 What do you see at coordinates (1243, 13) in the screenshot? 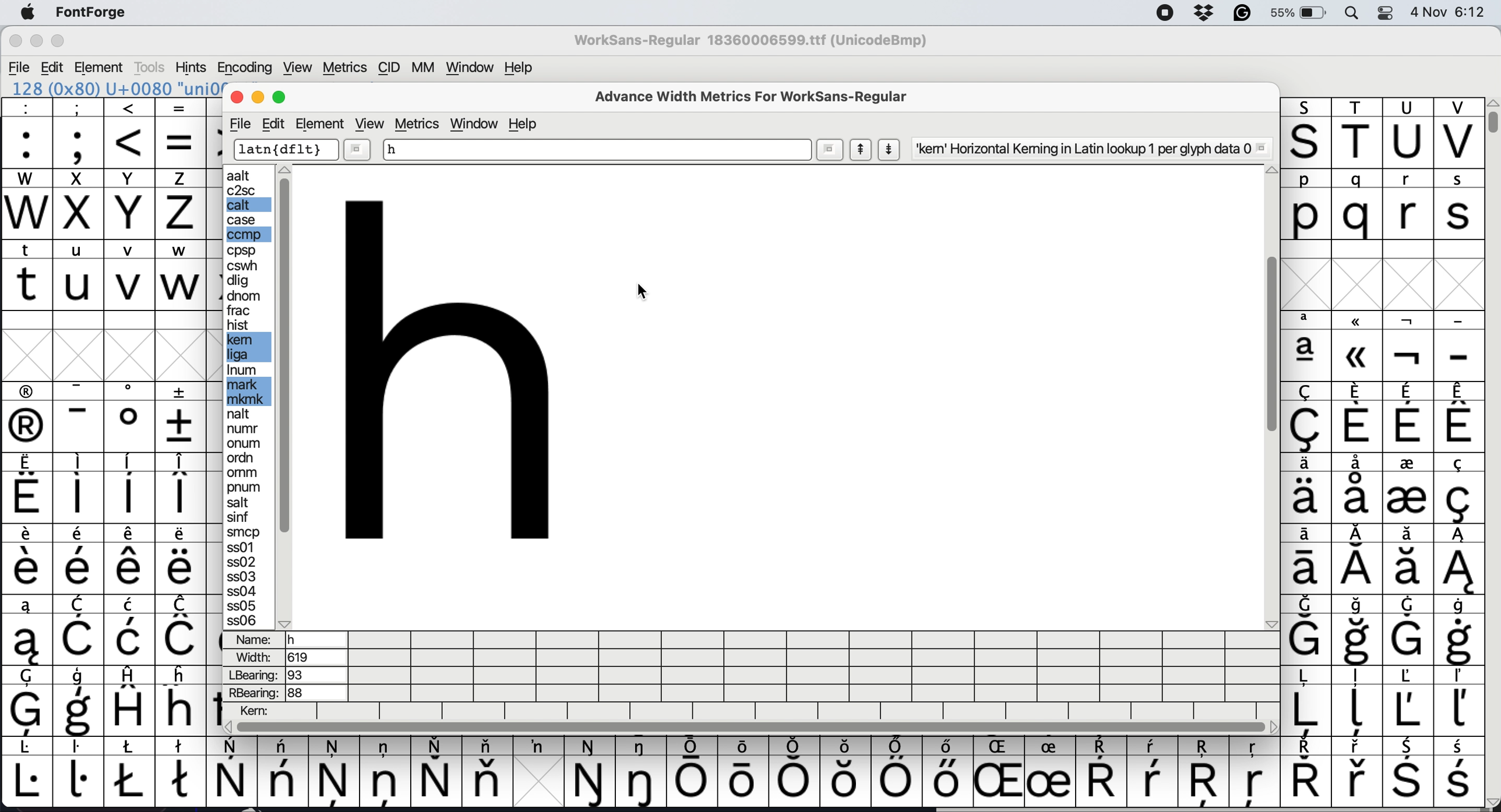
I see `grammarly` at bounding box center [1243, 13].